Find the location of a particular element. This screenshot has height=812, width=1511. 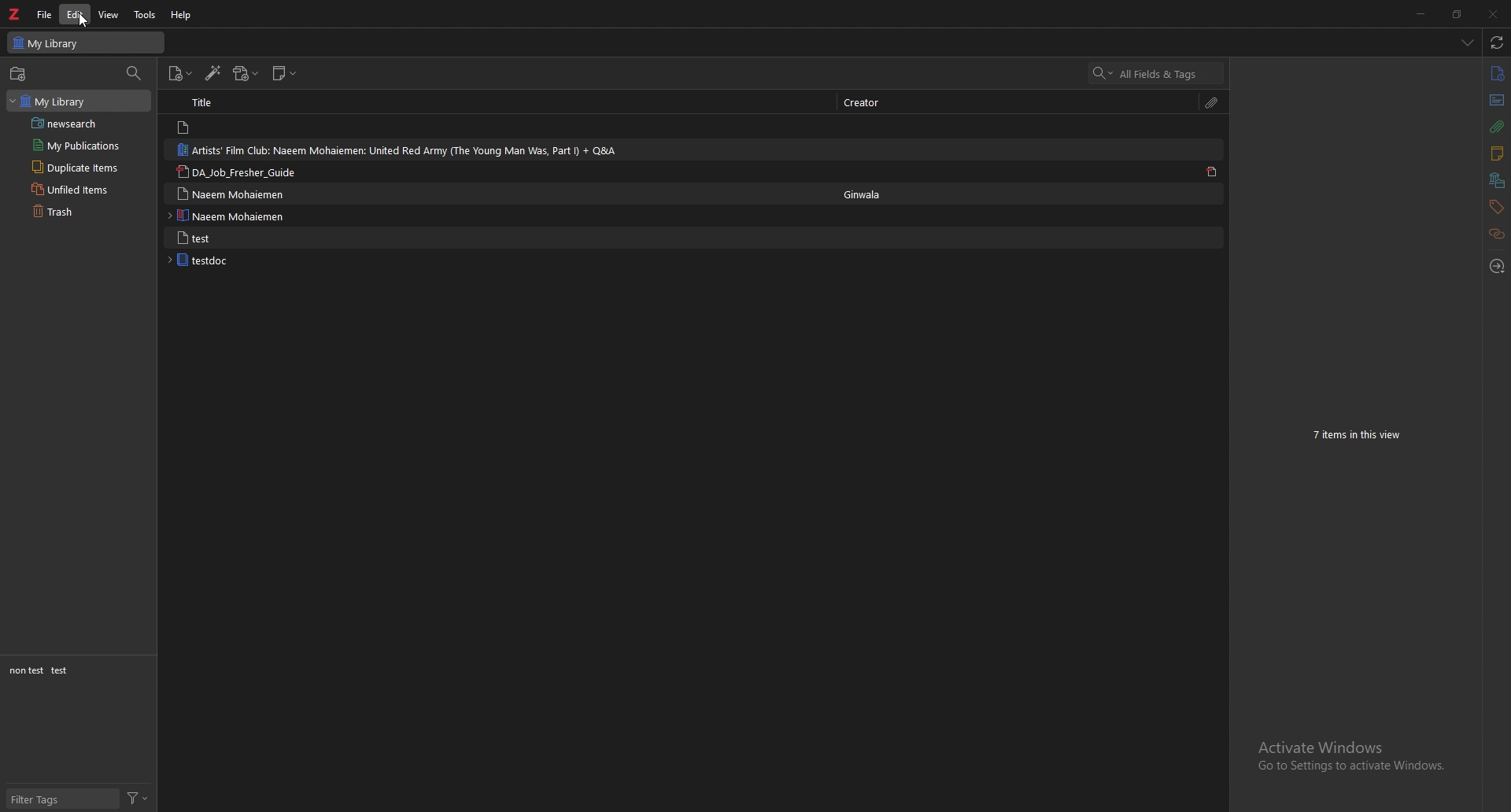

DA_job_fresher_guide is located at coordinates (244, 172).